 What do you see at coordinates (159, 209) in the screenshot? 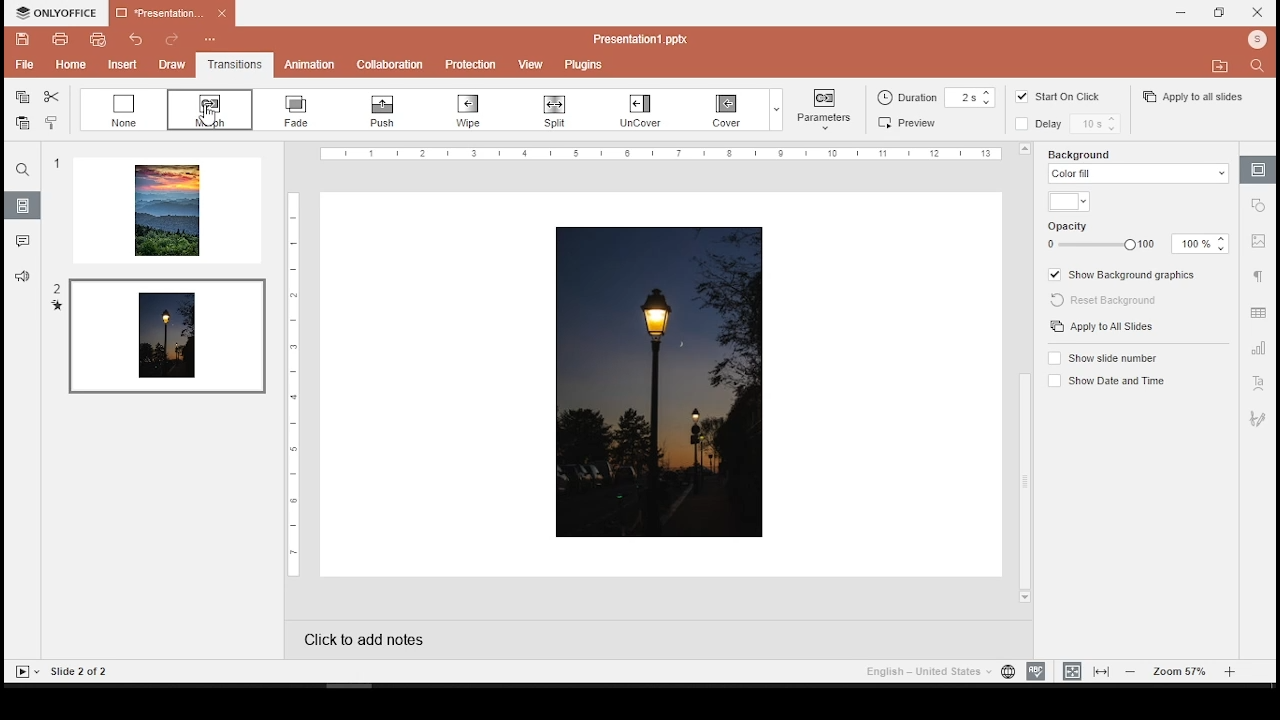
I see `slide 1` at bounding box center [159, 209].